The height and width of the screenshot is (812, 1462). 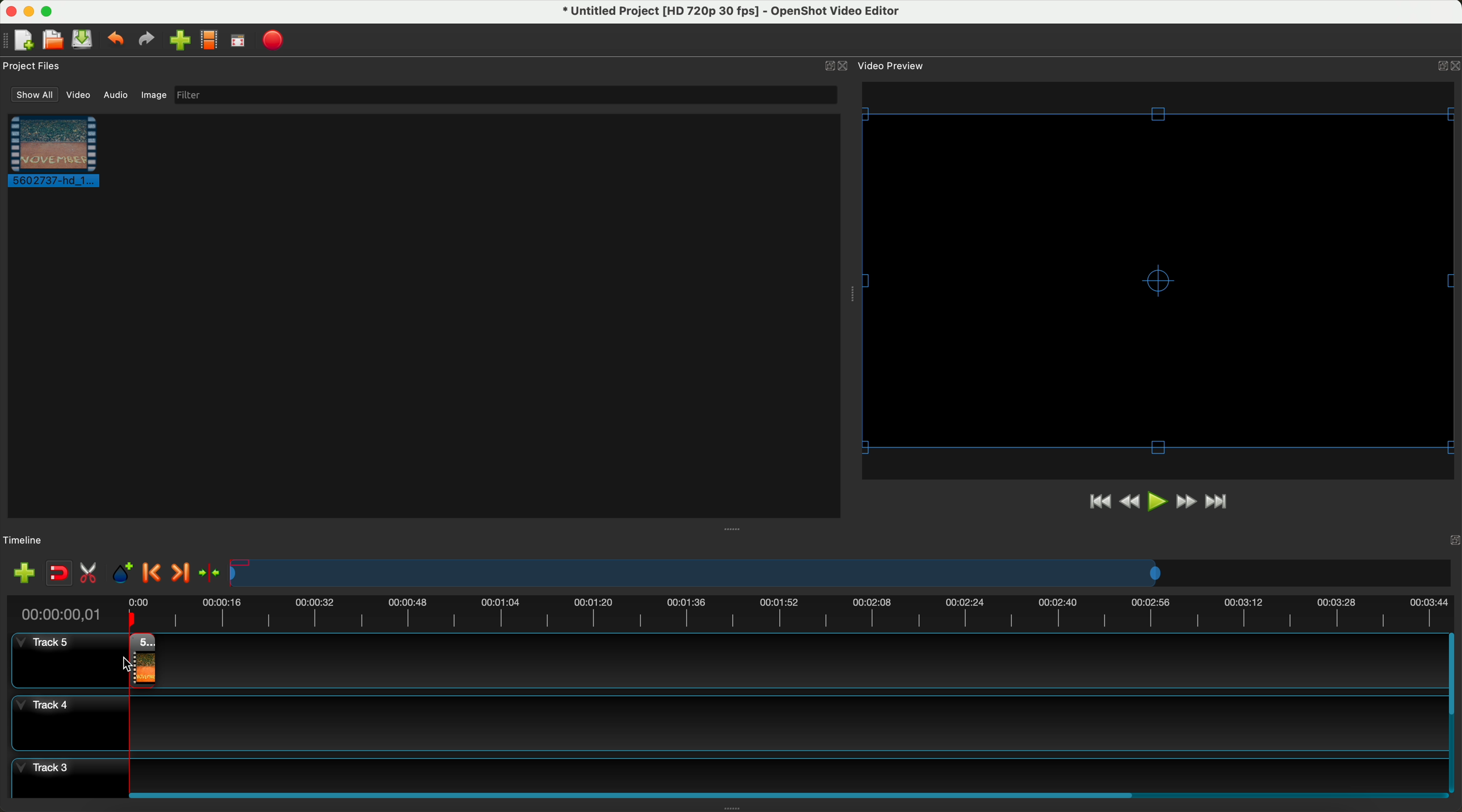 What do you see at coordinates (24, 573) in the screenshot?
I see `add track` at bounding box center [24, 573].